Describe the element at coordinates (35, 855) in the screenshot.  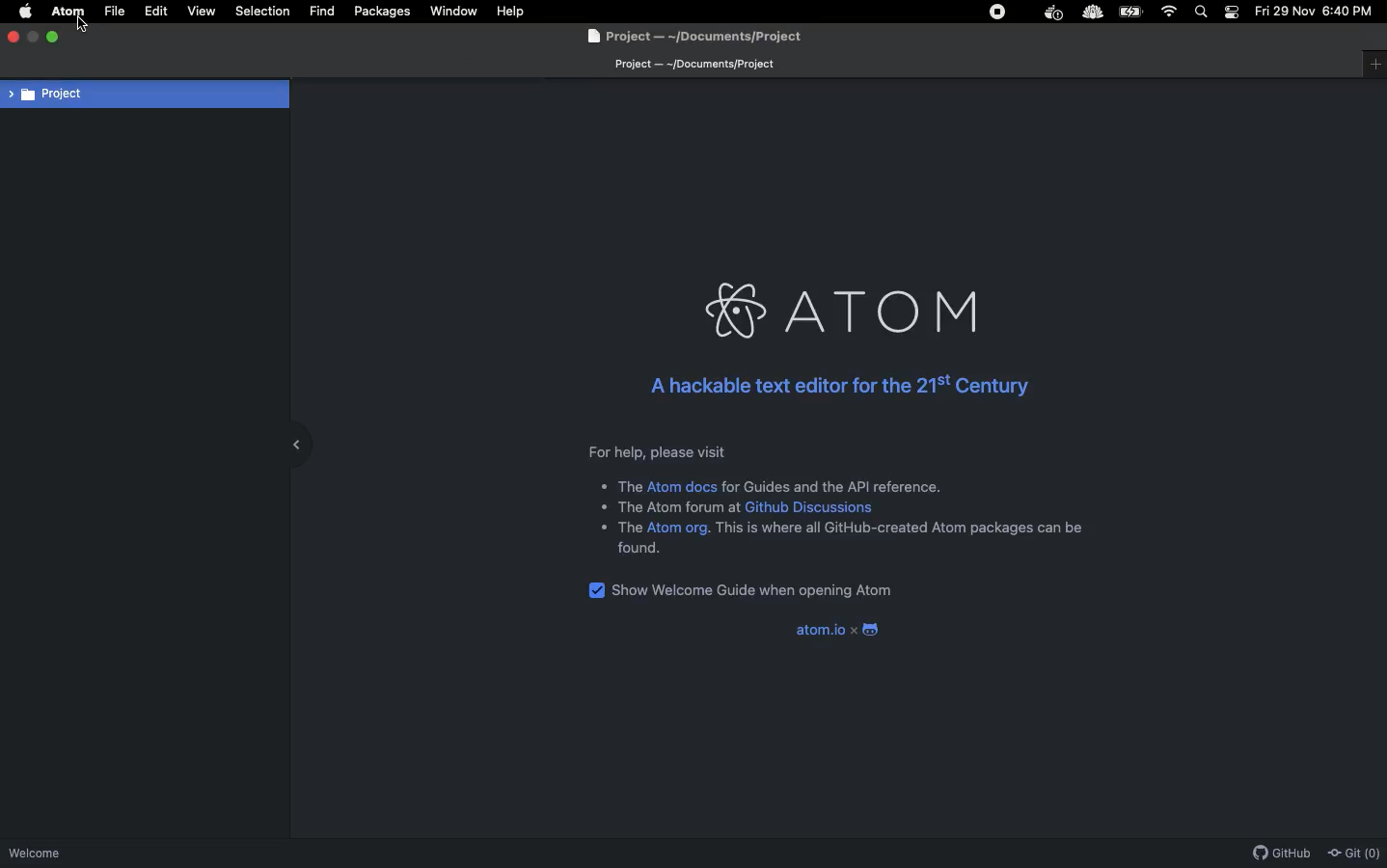
I see `Welome` at that location.